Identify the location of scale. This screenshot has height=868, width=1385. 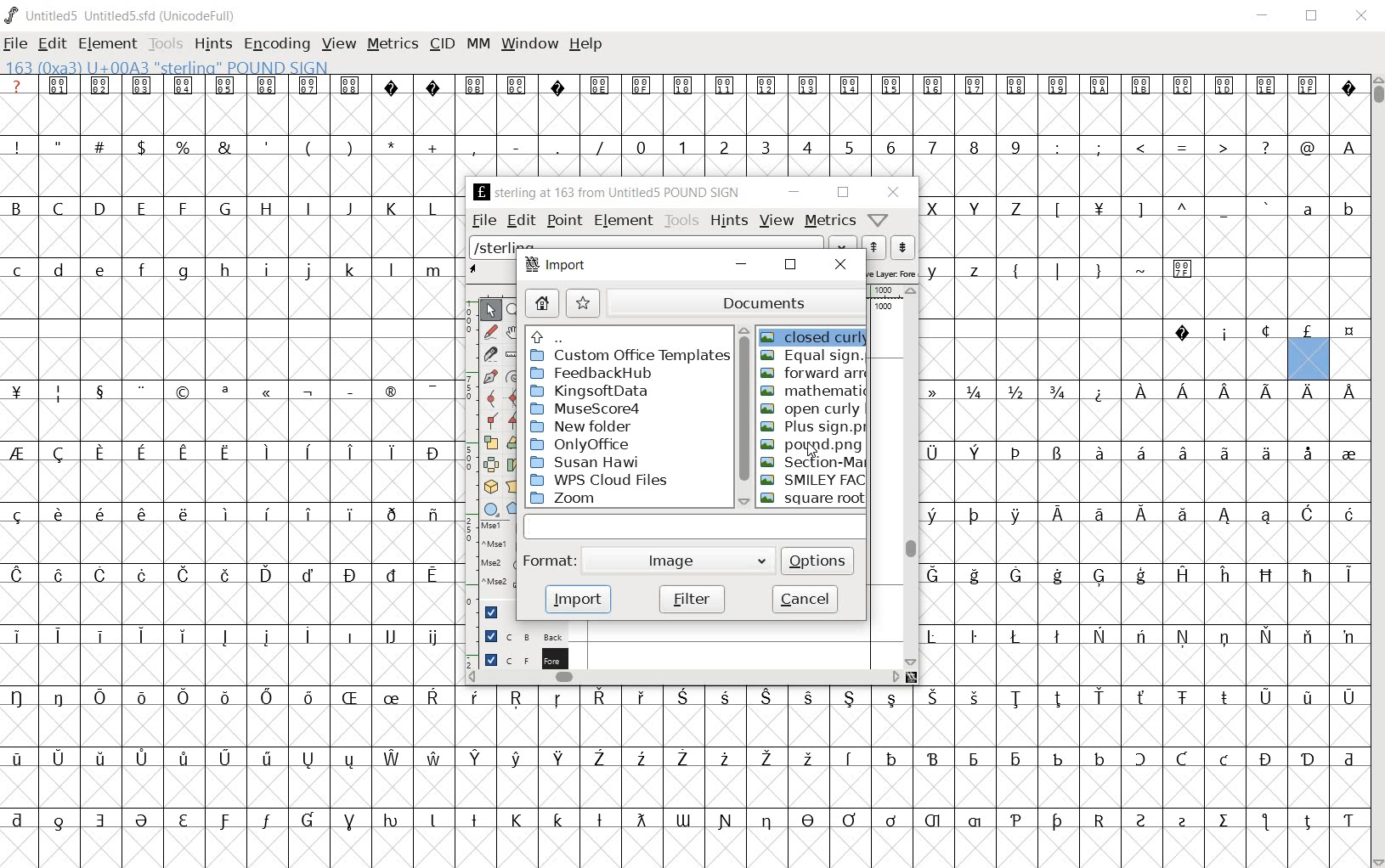
(495, 442).